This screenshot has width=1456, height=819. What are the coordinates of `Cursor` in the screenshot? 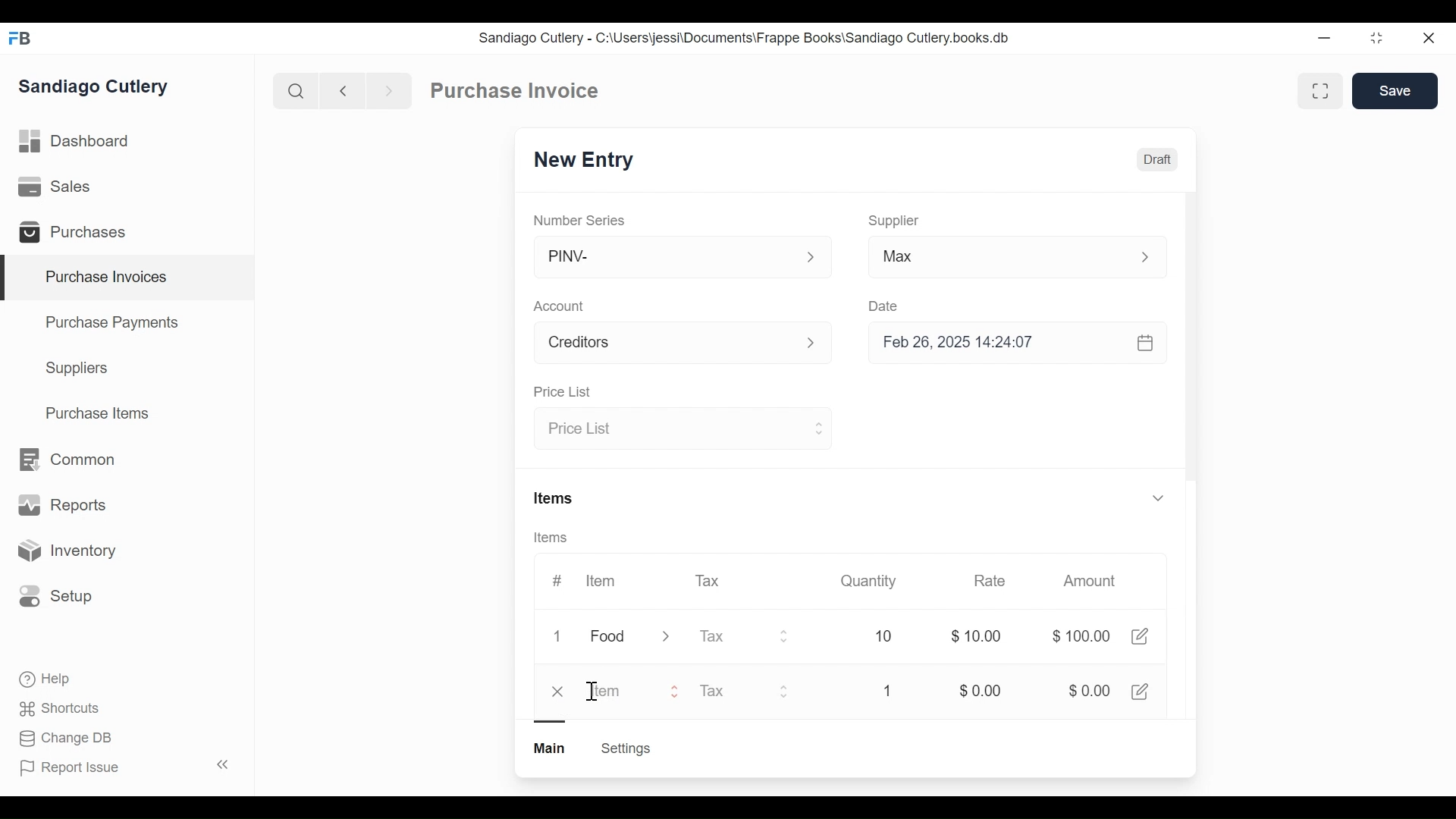 It's located at (592, 692).